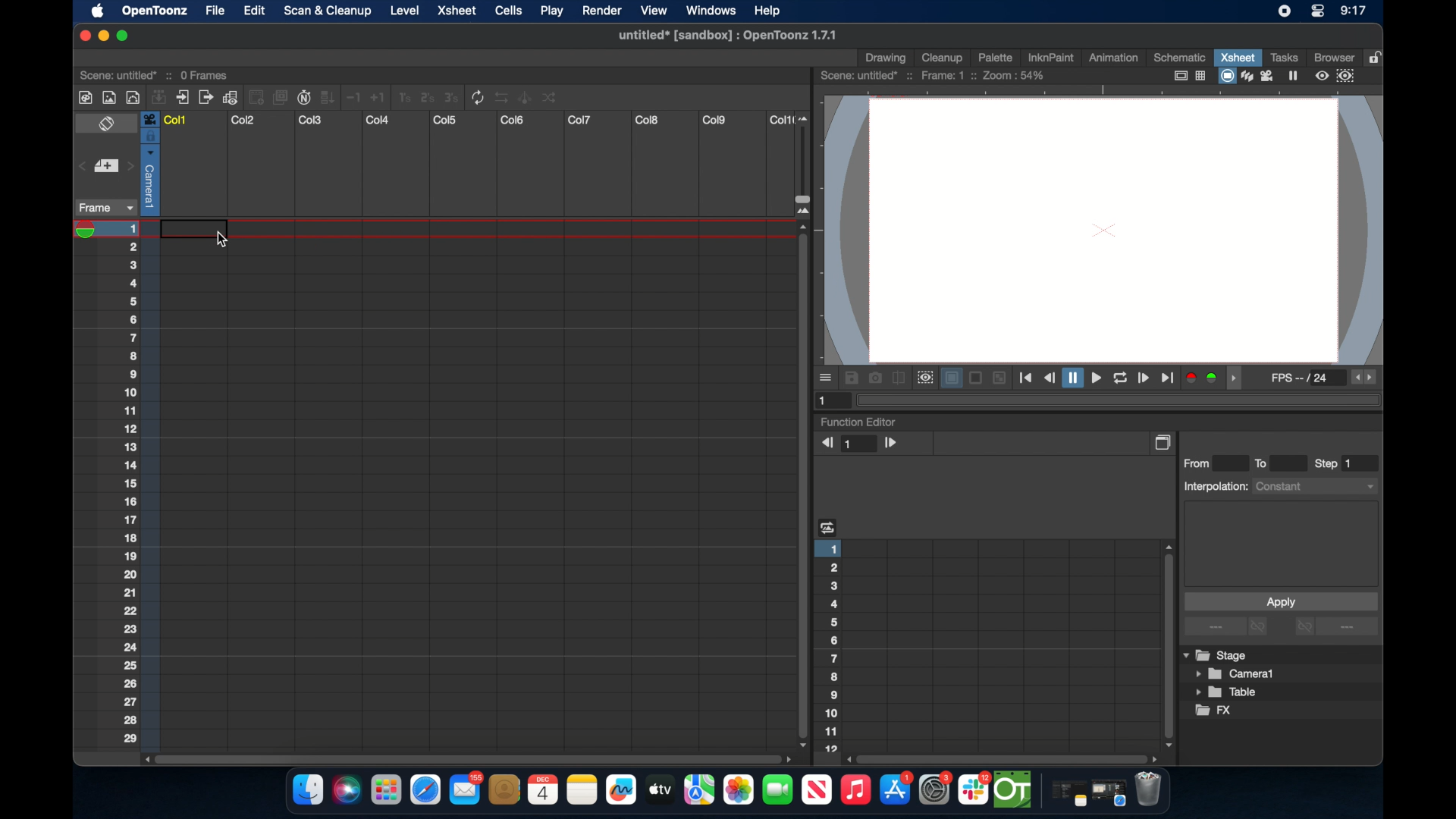  I want to click on drawing, so click(887, 58).